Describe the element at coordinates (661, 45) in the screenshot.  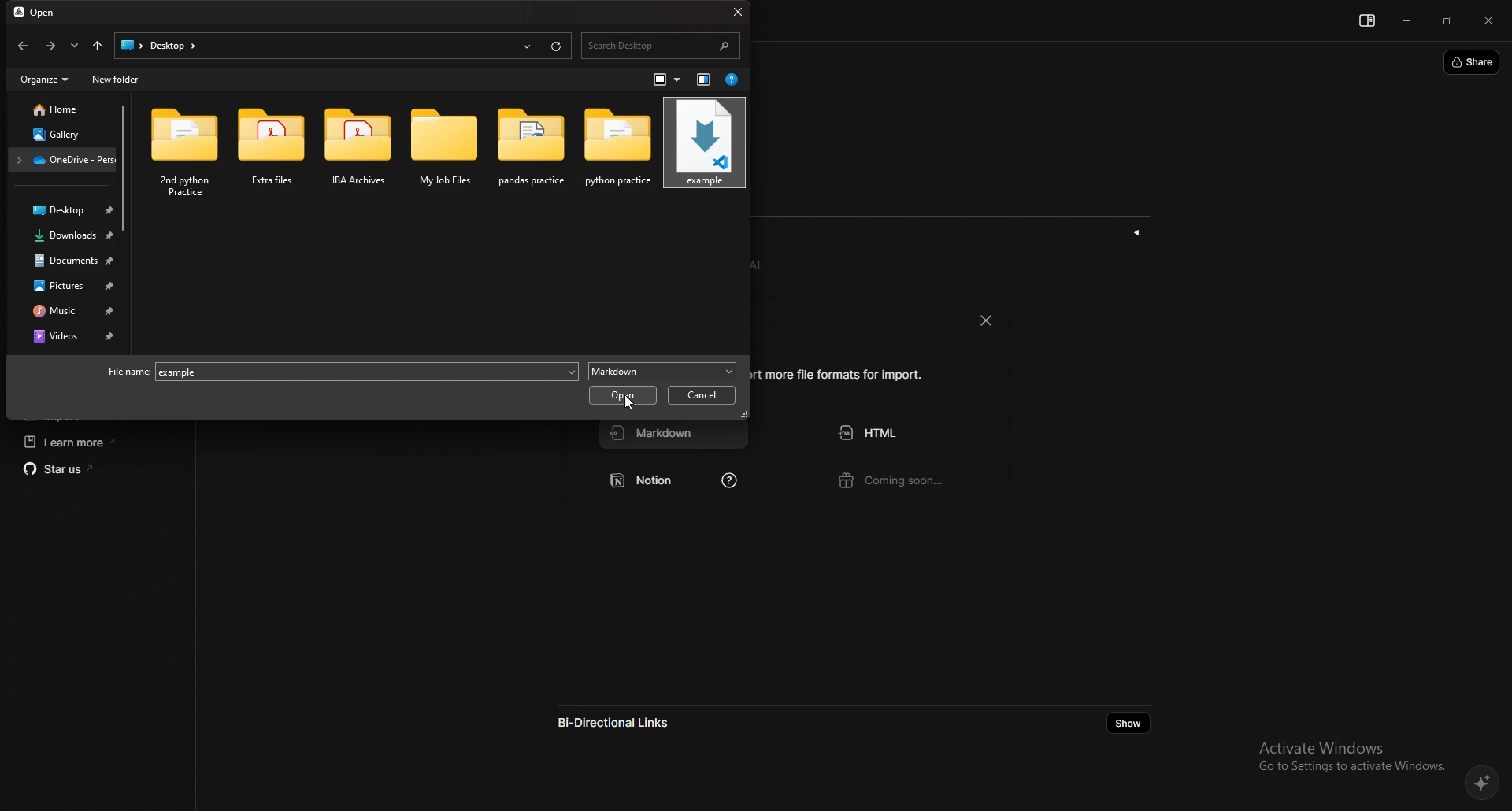
I see `search bar` at that location.